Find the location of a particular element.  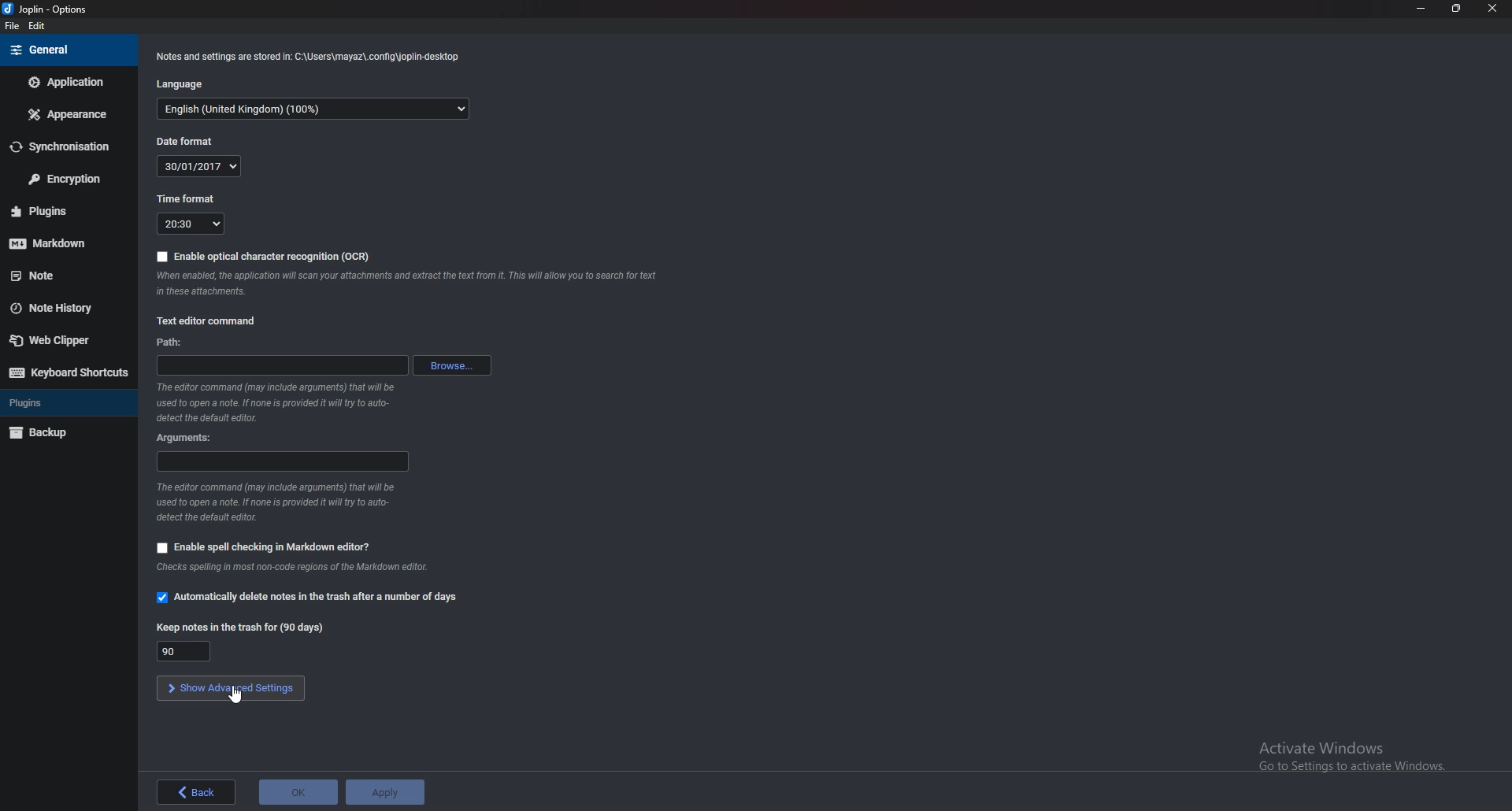

Enable O C R is located at coordinates (262, 257).